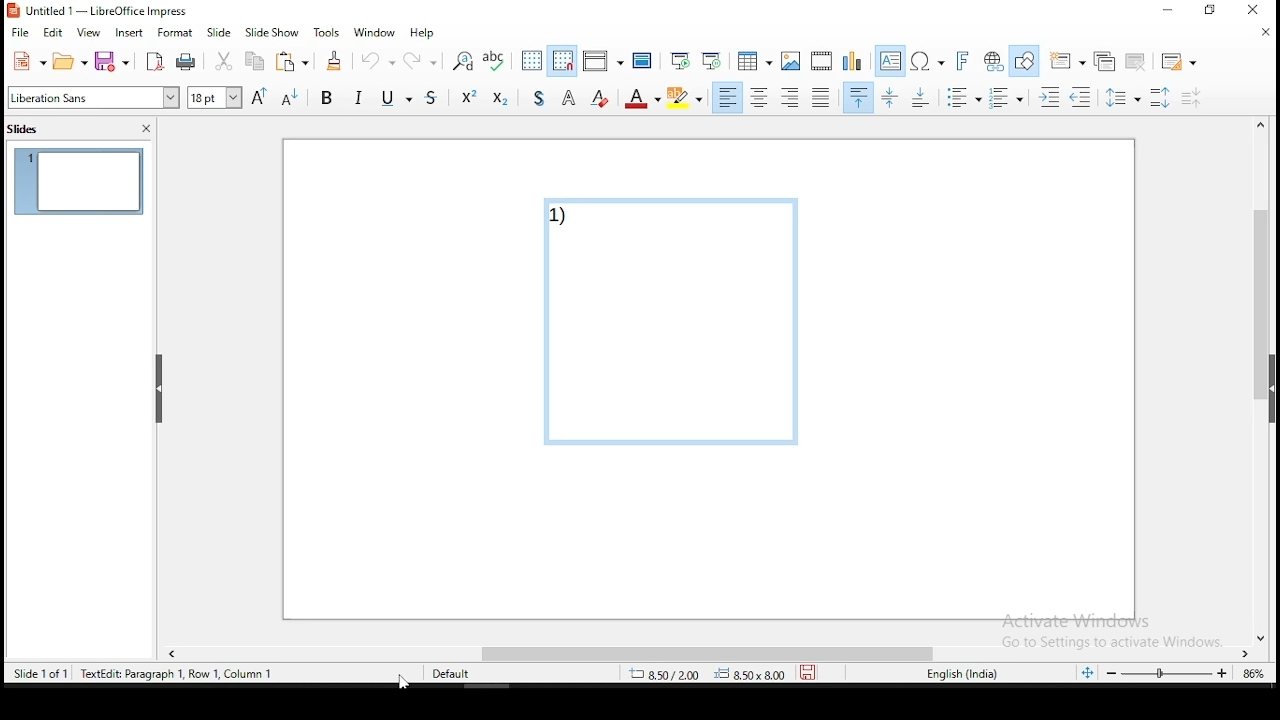 This screenshot has width=1280, height=720. I want to click on align top, so click(856, 99).